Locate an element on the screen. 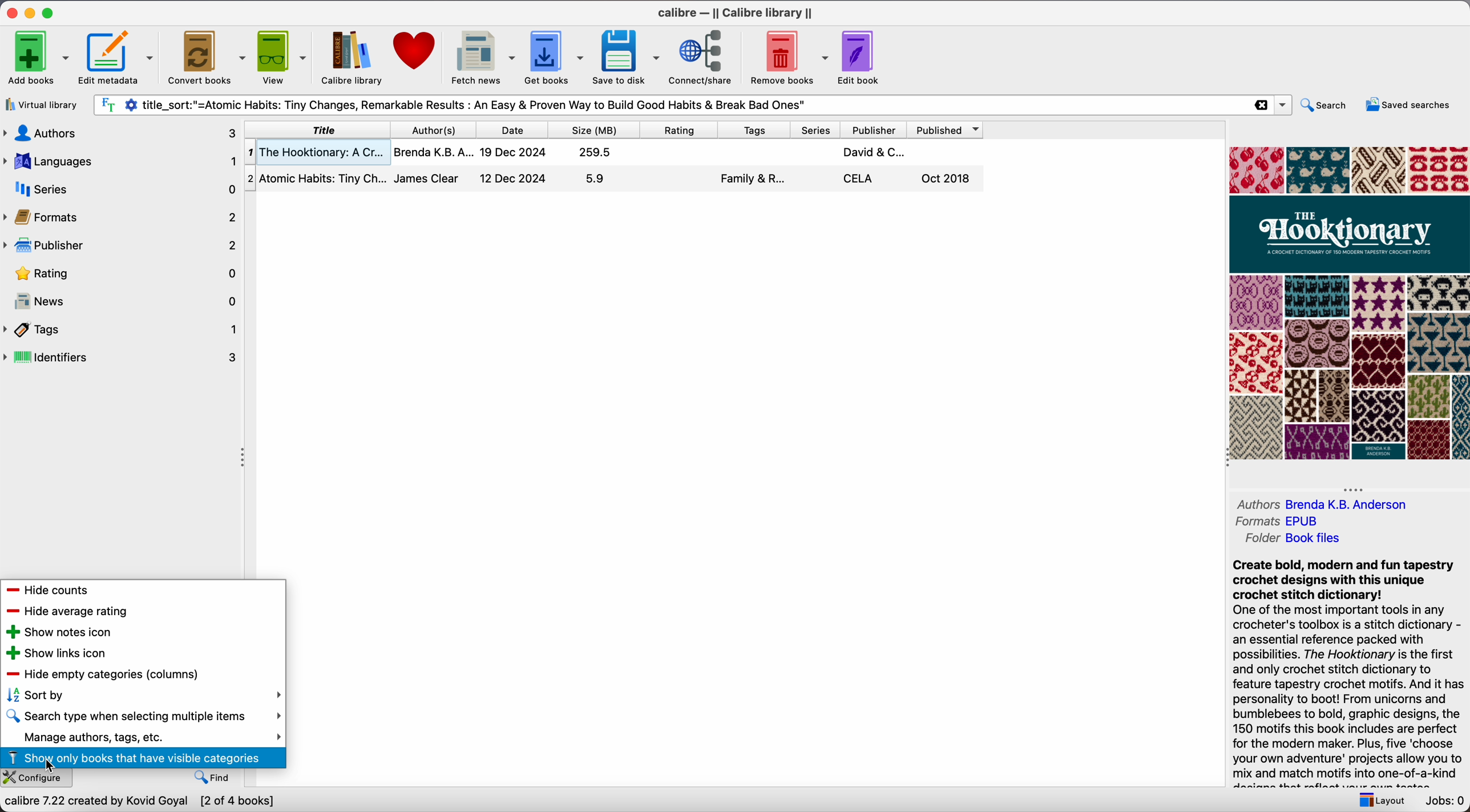  title is located at coordinates (320, 128).